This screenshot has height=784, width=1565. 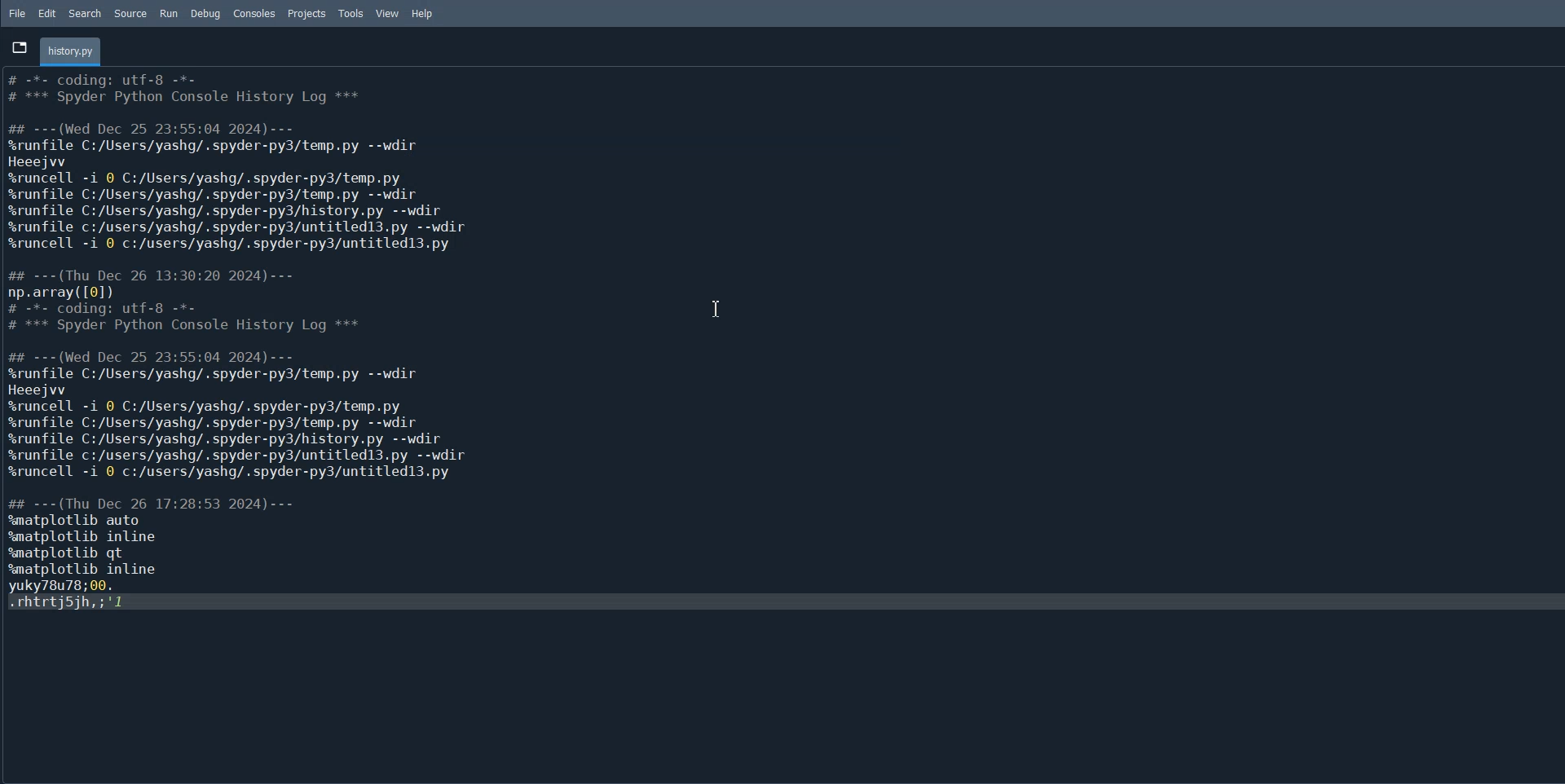 What do you see at coordinates (424, 15) in the screenshot?
I see `Help` at bounding box center [424, 15].